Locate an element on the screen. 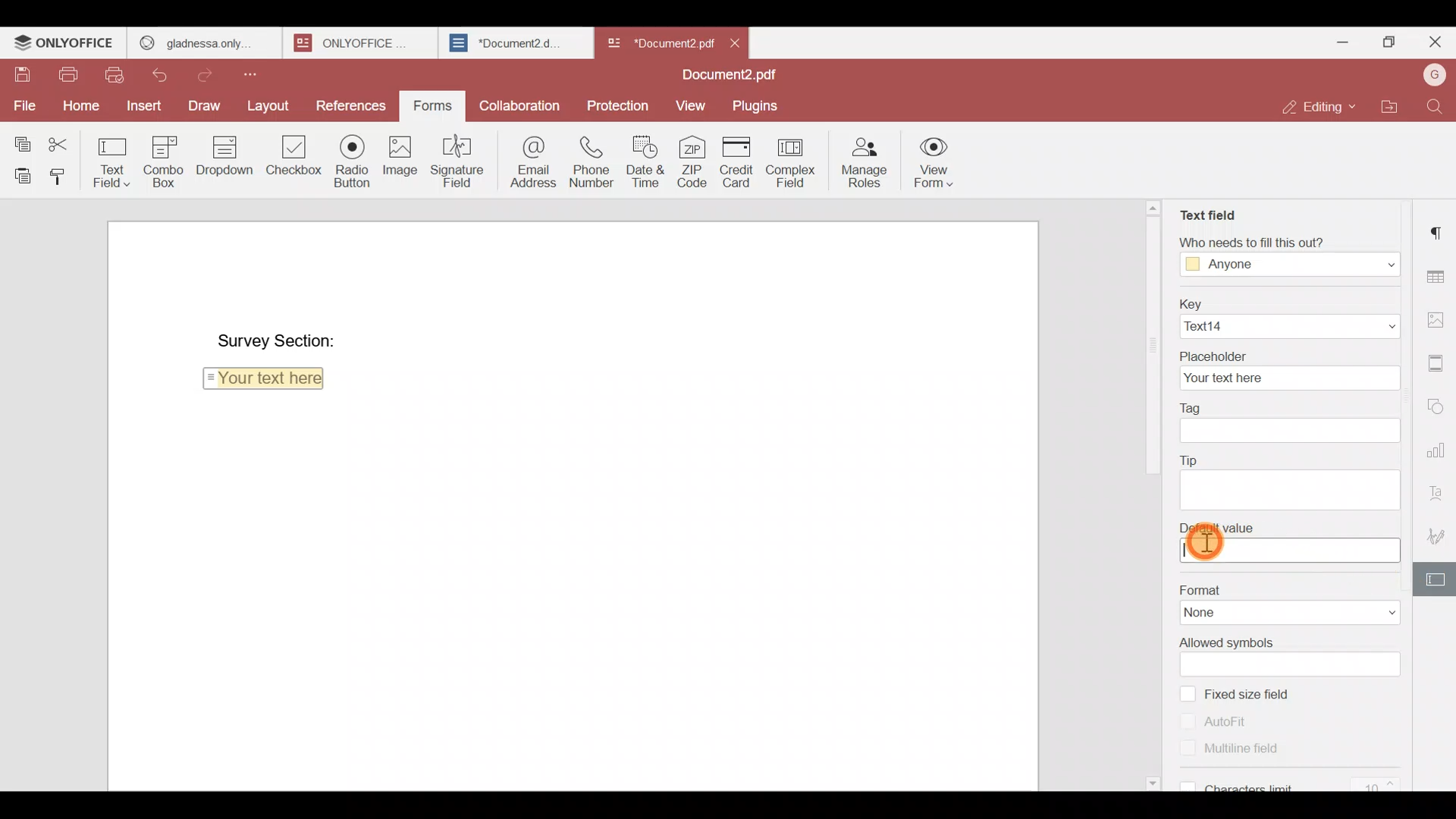 The width and height of the screenshot is (1456, 819). Fixed size field is located at coordinates (1255, 692).